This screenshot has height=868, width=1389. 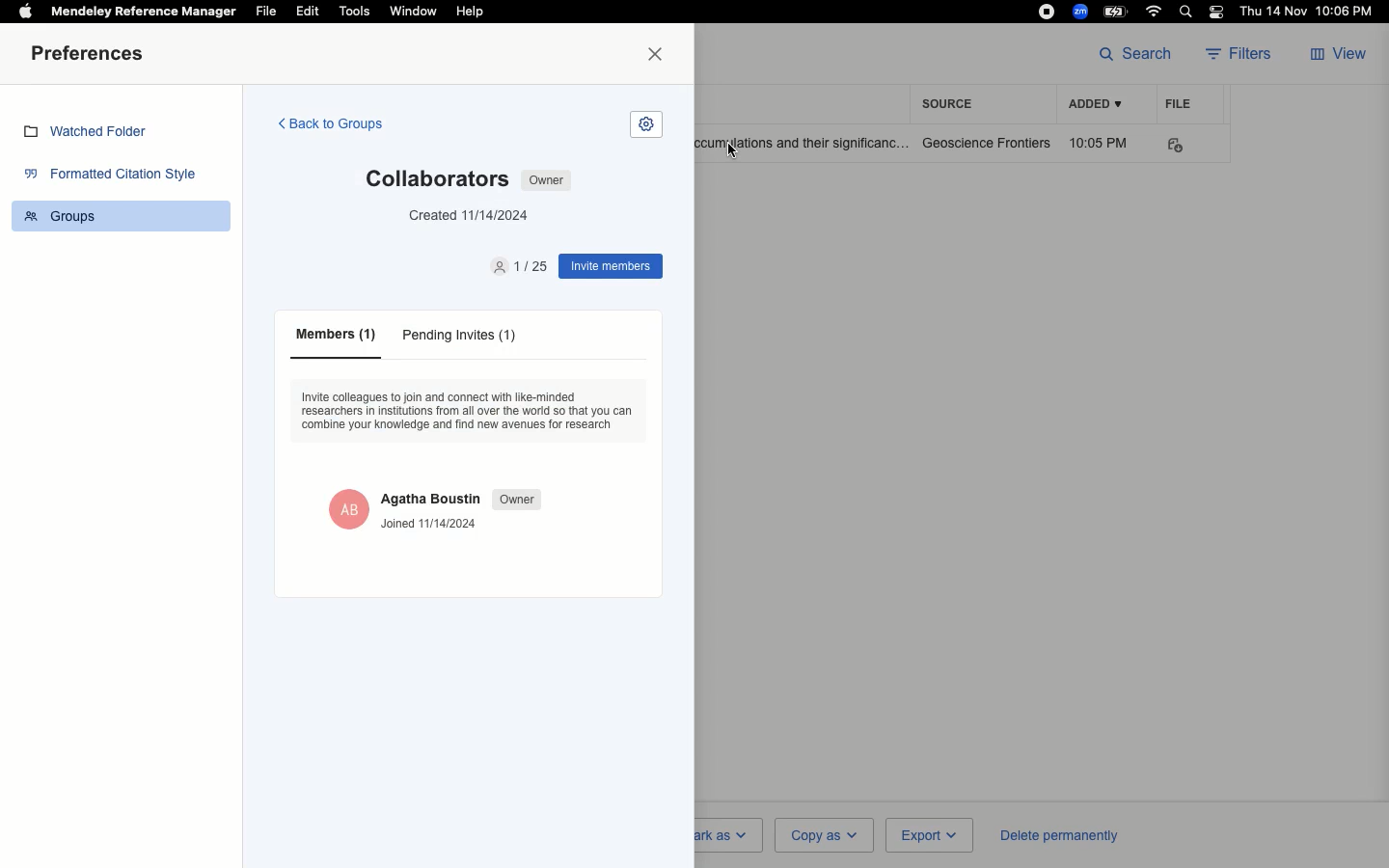 I want to click on Help, so click(x=469, y=13).